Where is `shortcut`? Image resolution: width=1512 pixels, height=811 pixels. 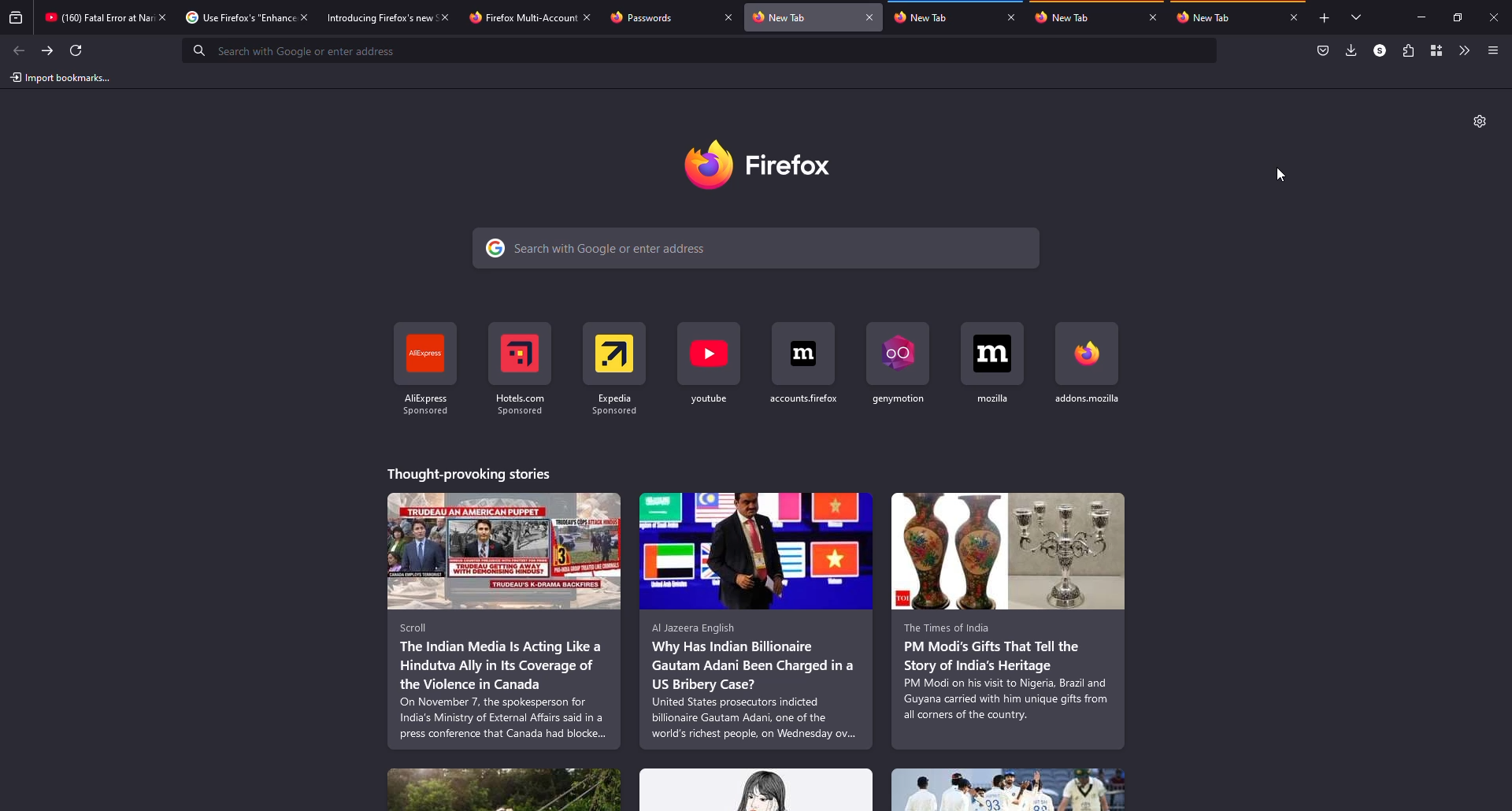 shortcut is located at coordinates (521, 367).